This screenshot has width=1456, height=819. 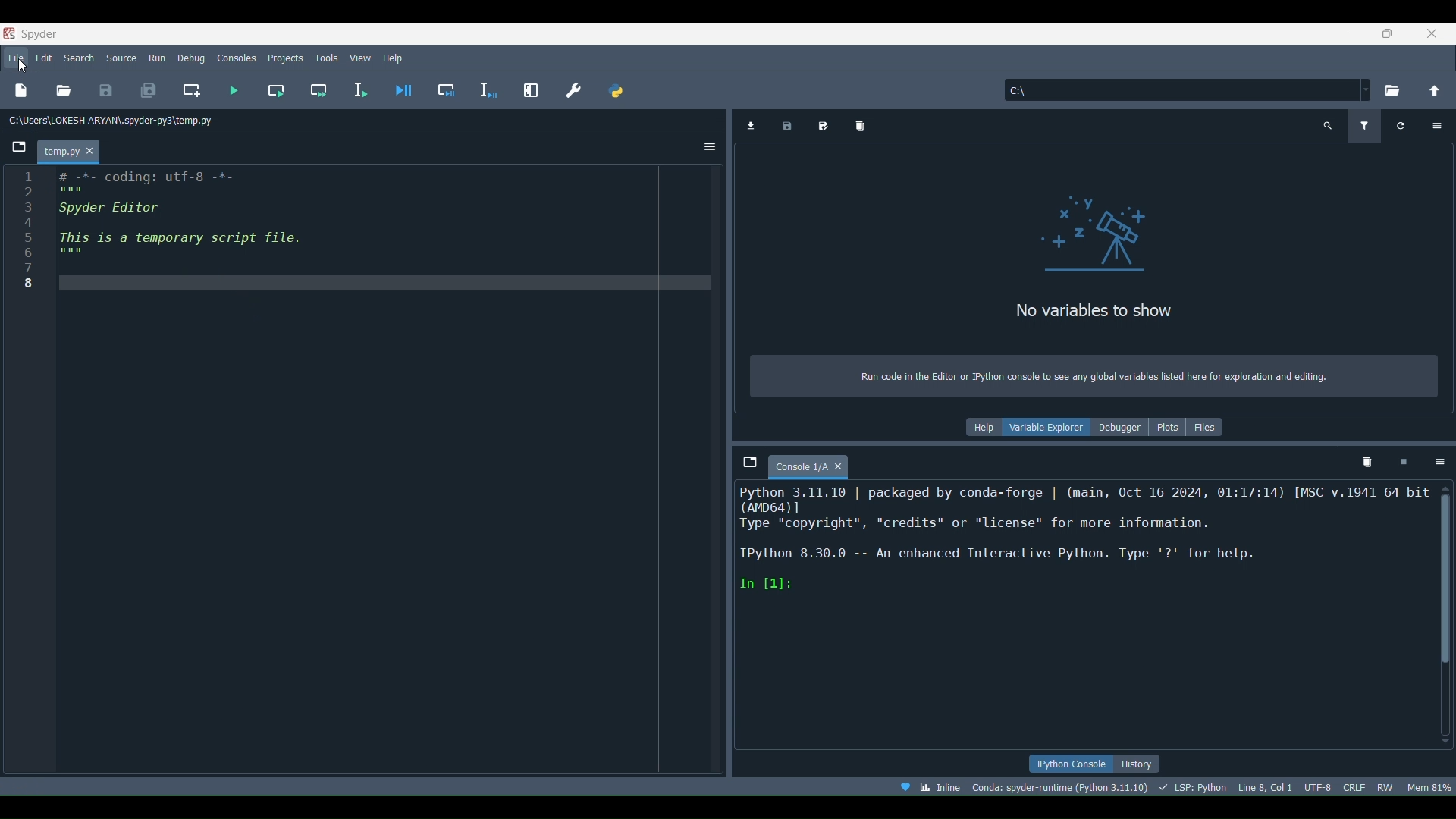 What do you see at coordinates (943, 784) in the screenshot?
I see `Click to toggle between inline and interactive Matplotlib plotting` at bounding box center [943, 784].